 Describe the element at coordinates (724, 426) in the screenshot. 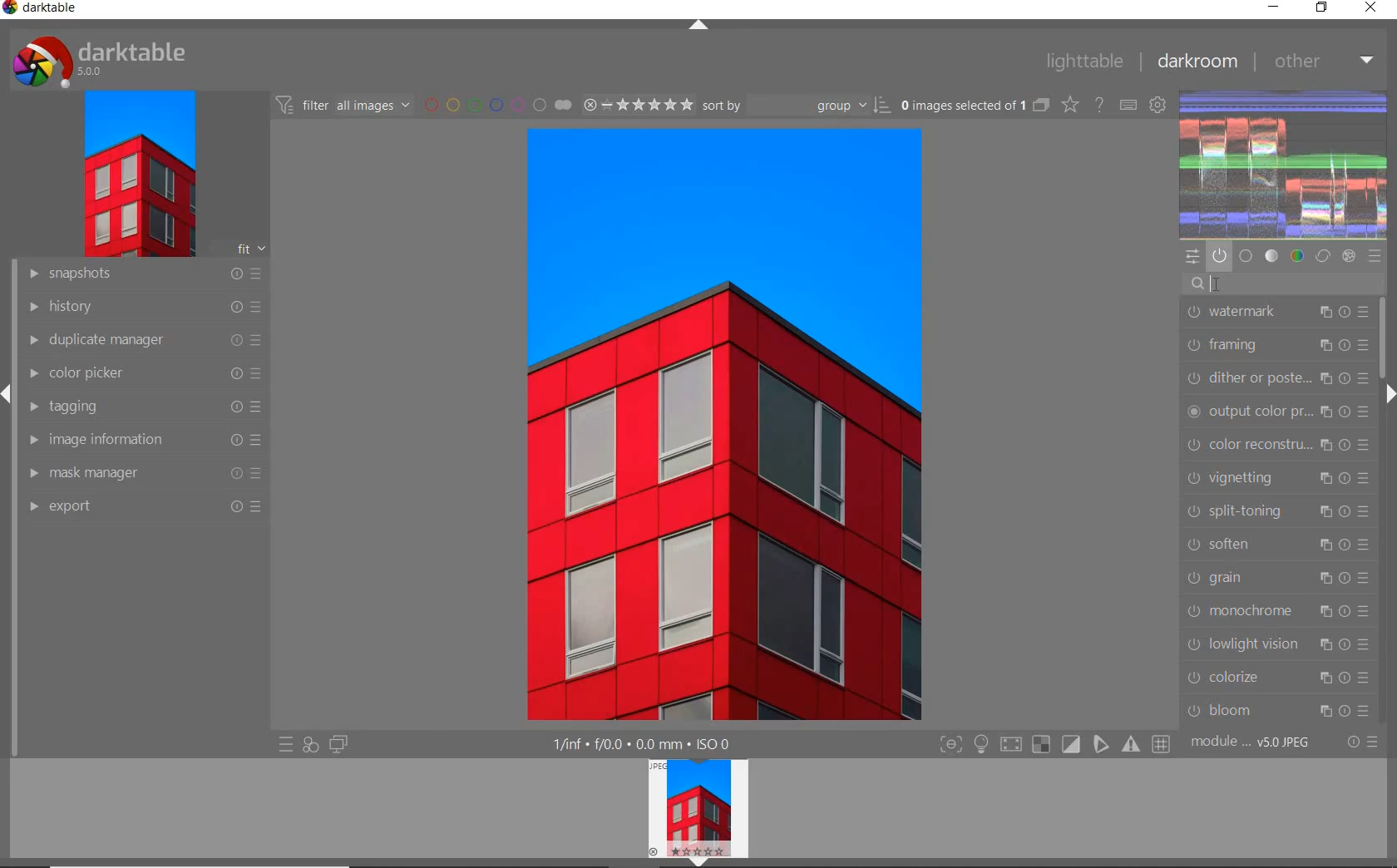

I see `selected image` at that location.